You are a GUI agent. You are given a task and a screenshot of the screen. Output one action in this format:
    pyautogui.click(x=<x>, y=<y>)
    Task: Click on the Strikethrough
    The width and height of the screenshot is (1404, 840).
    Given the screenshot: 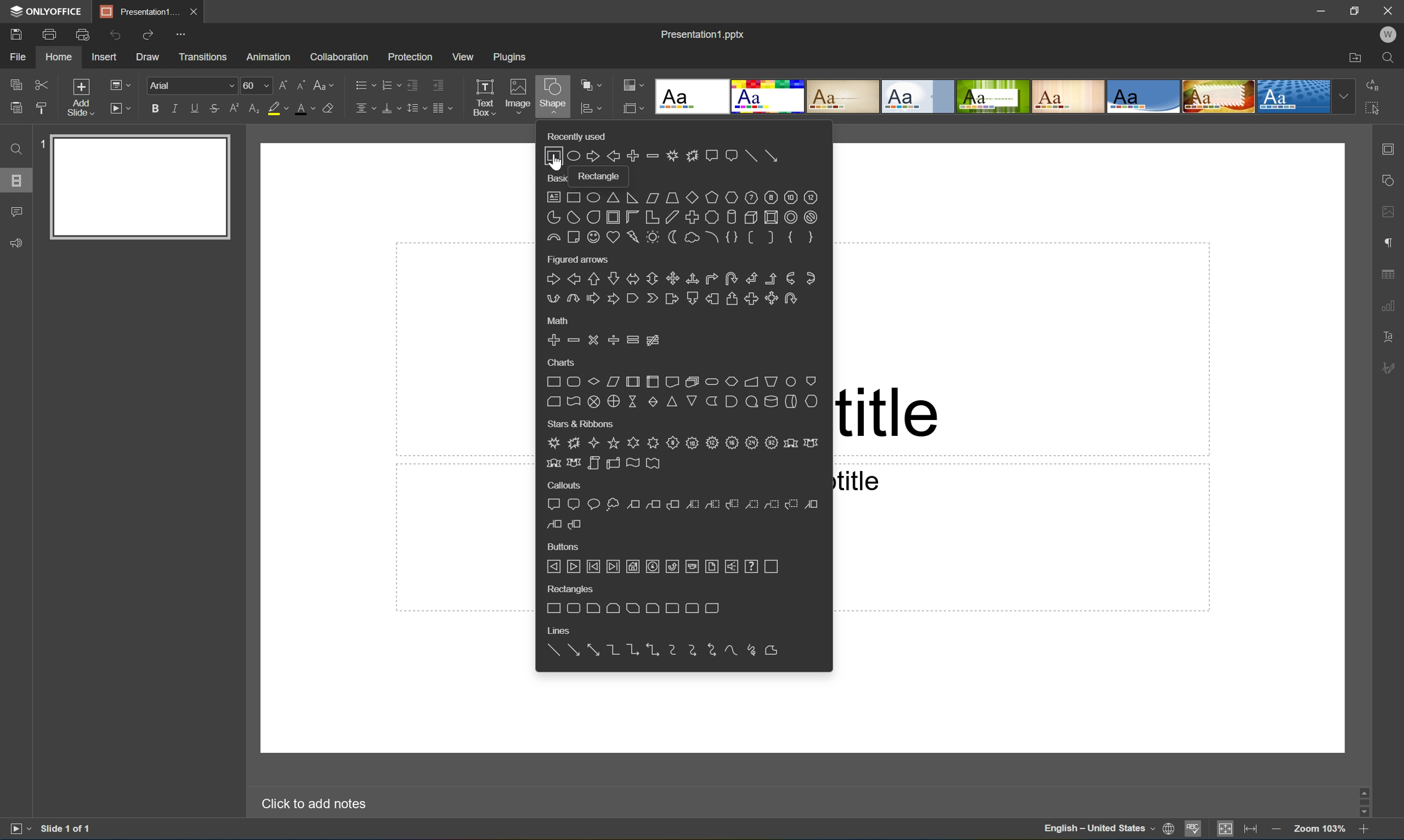 What is the action you would take?
    pyautogui.click(x=214, y=110)
    